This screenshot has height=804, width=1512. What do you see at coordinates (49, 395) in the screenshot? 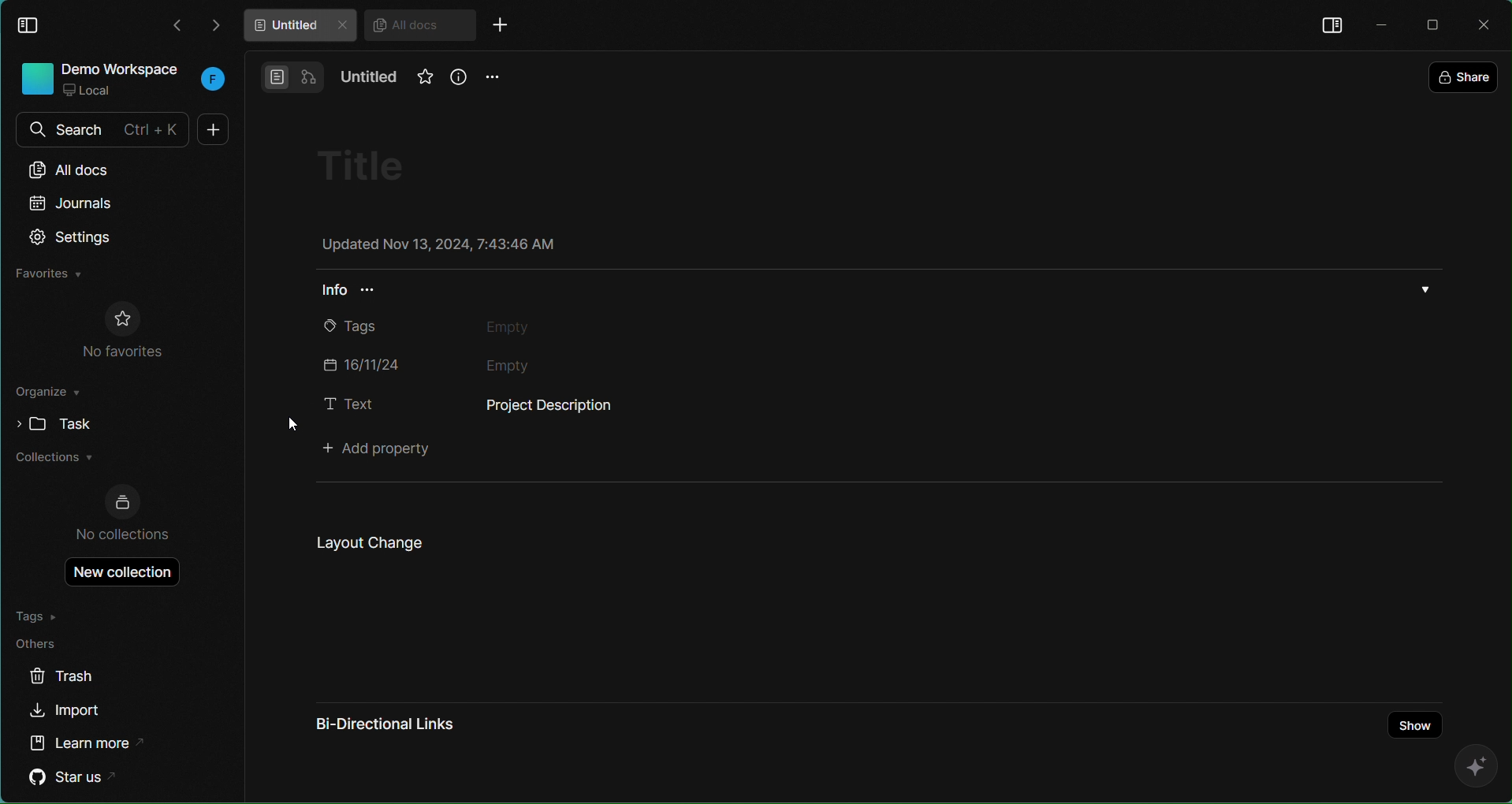
I see `organize` at bounding box center [49, 395].